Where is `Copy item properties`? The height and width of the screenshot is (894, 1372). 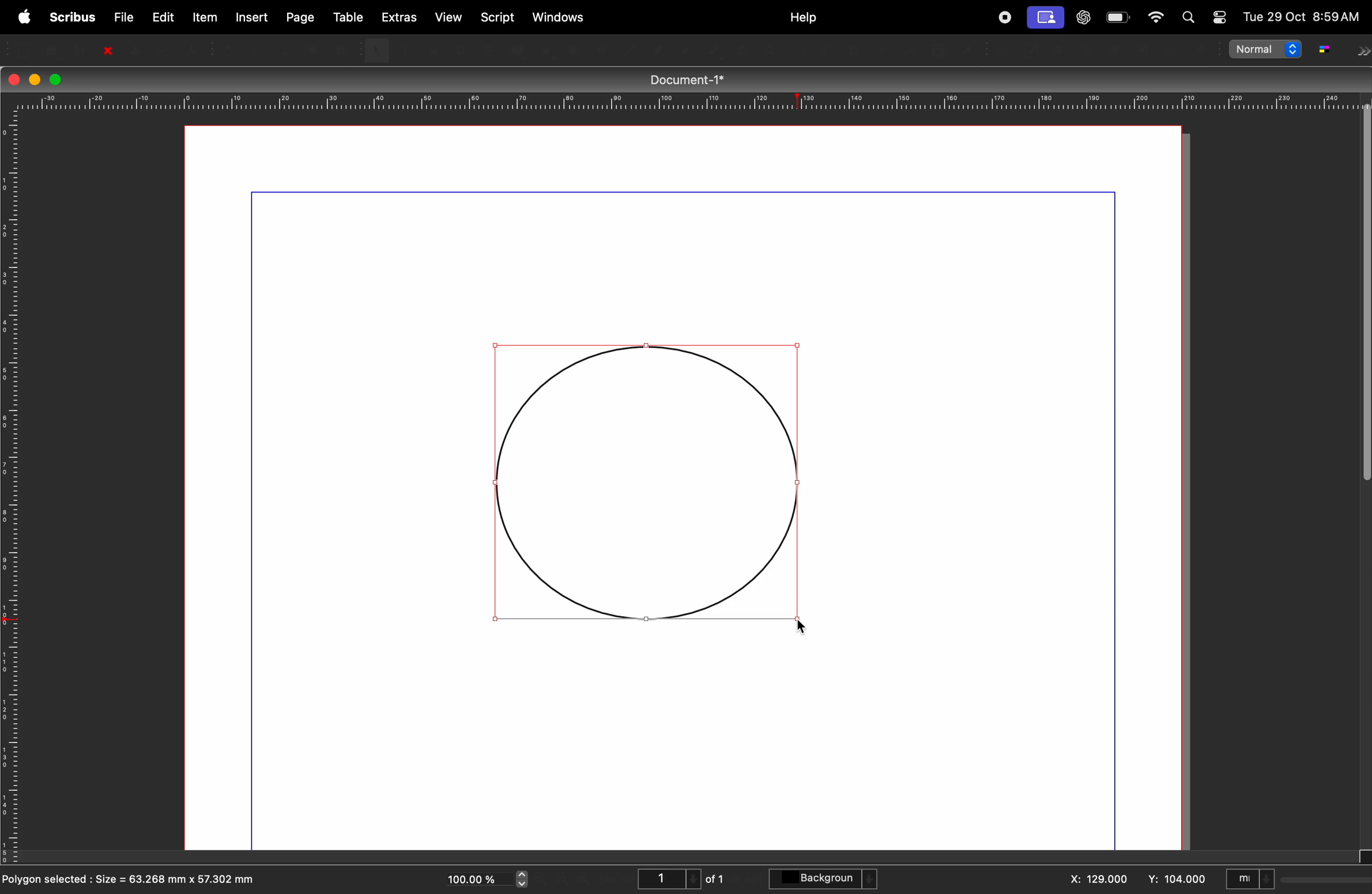 Copy item properties is located at coordinates (938, 50).